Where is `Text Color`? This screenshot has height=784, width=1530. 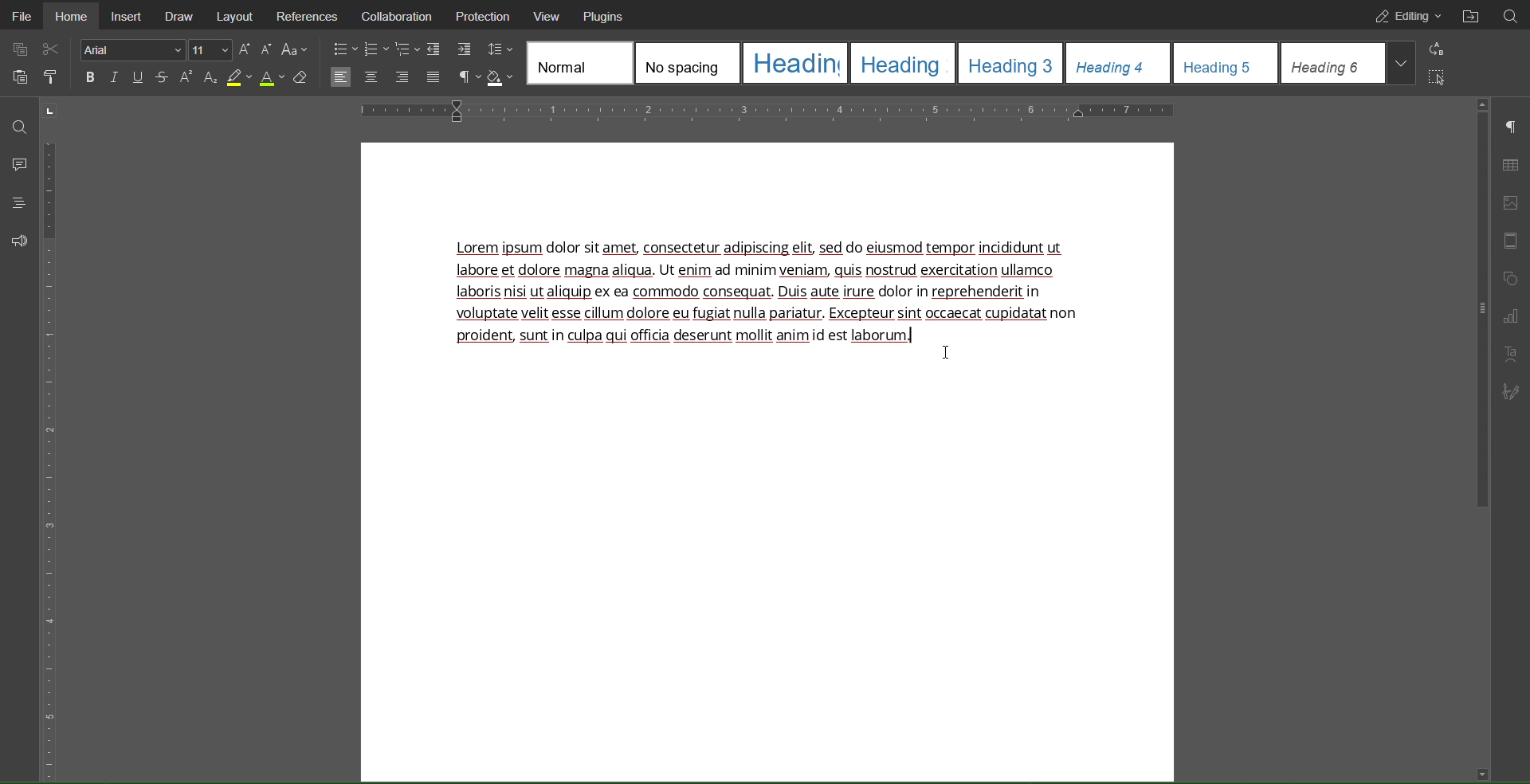 Text Color is located at coordinates (272, 78).